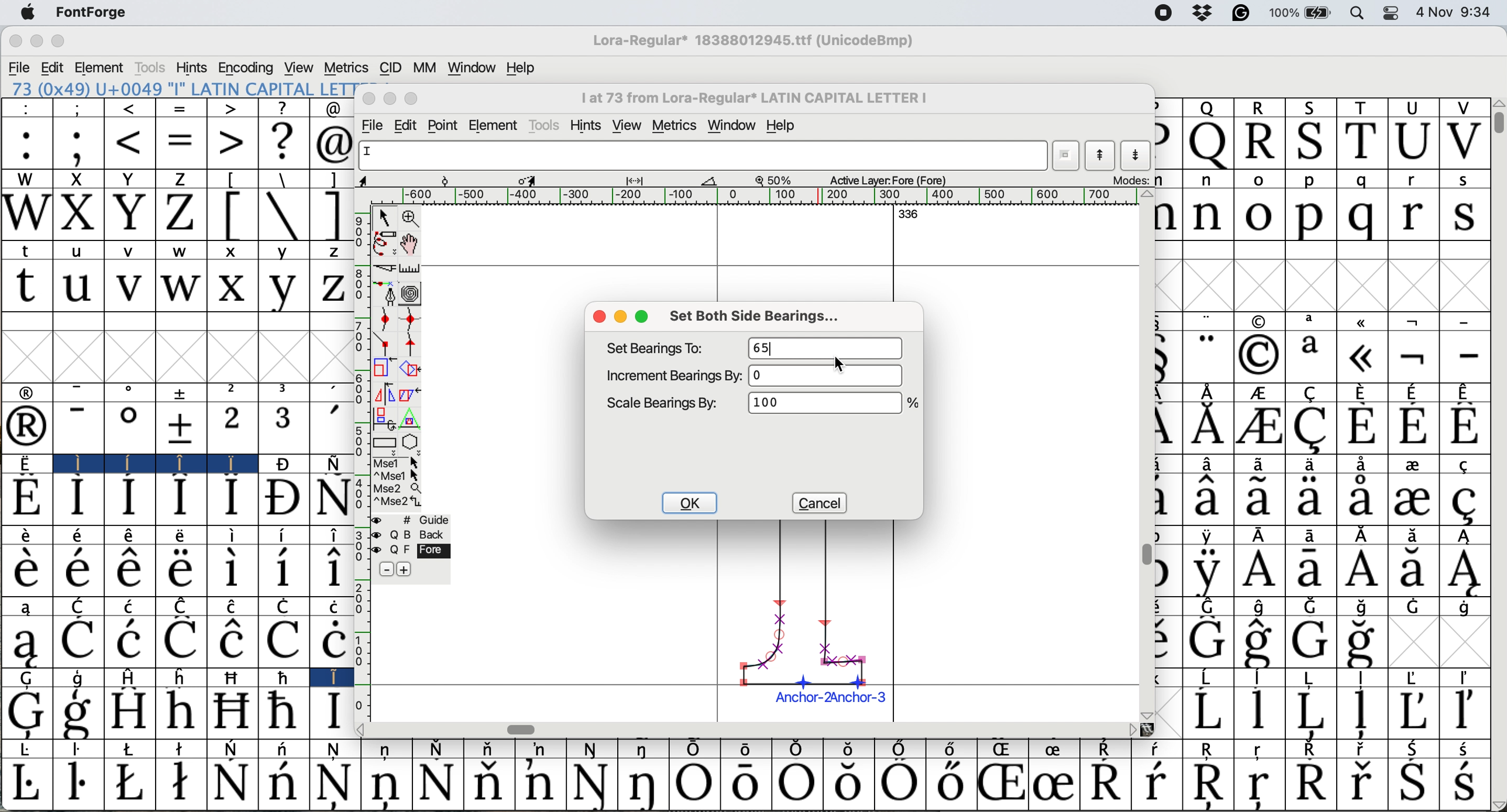 The height and width of the screenshot is (812, 1507). I want to click on y, so click(282, 288).